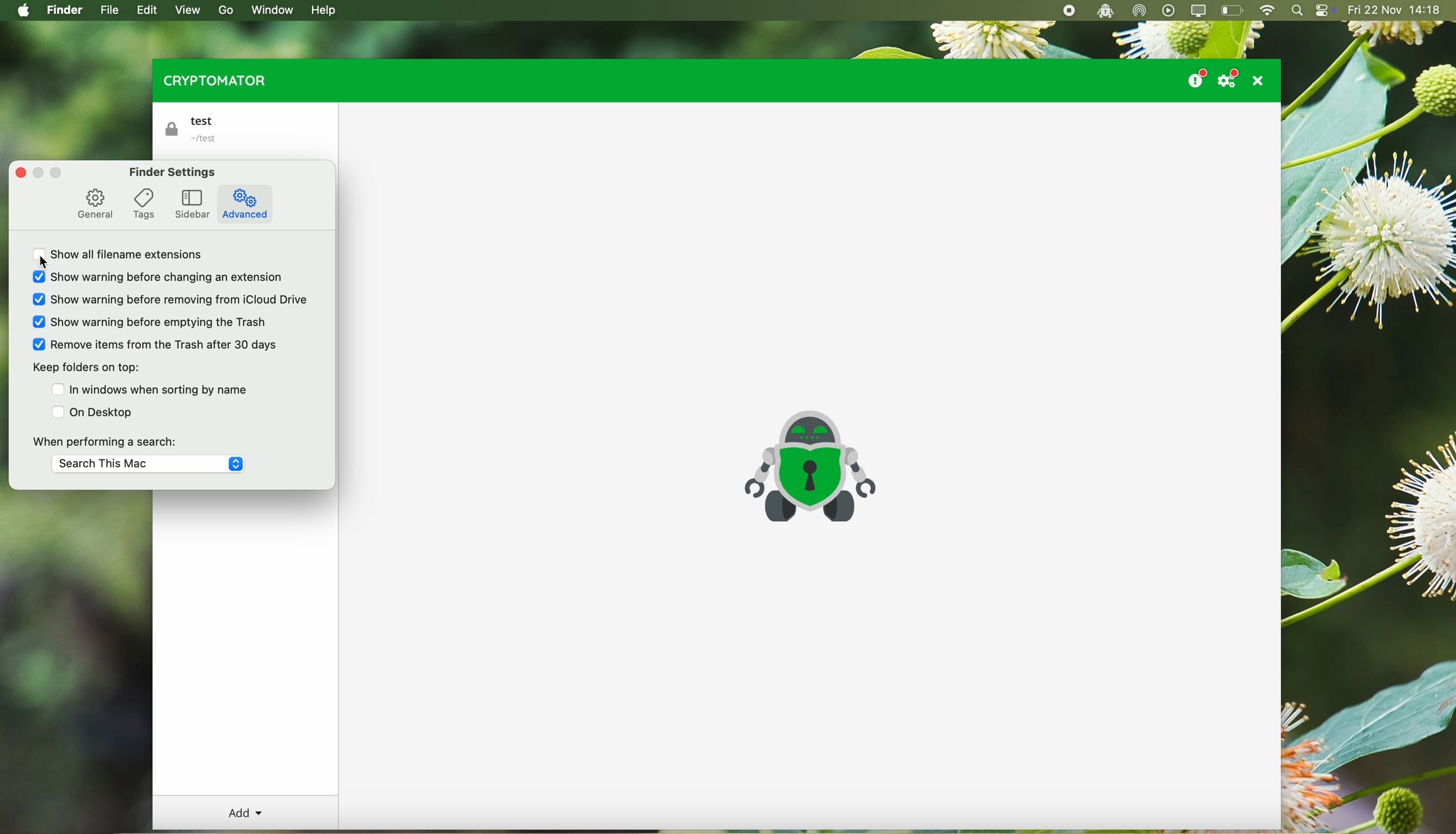 The width and height of the screenshot is (1456, 834). I want to click on Search This Mac, so click(148, 465).